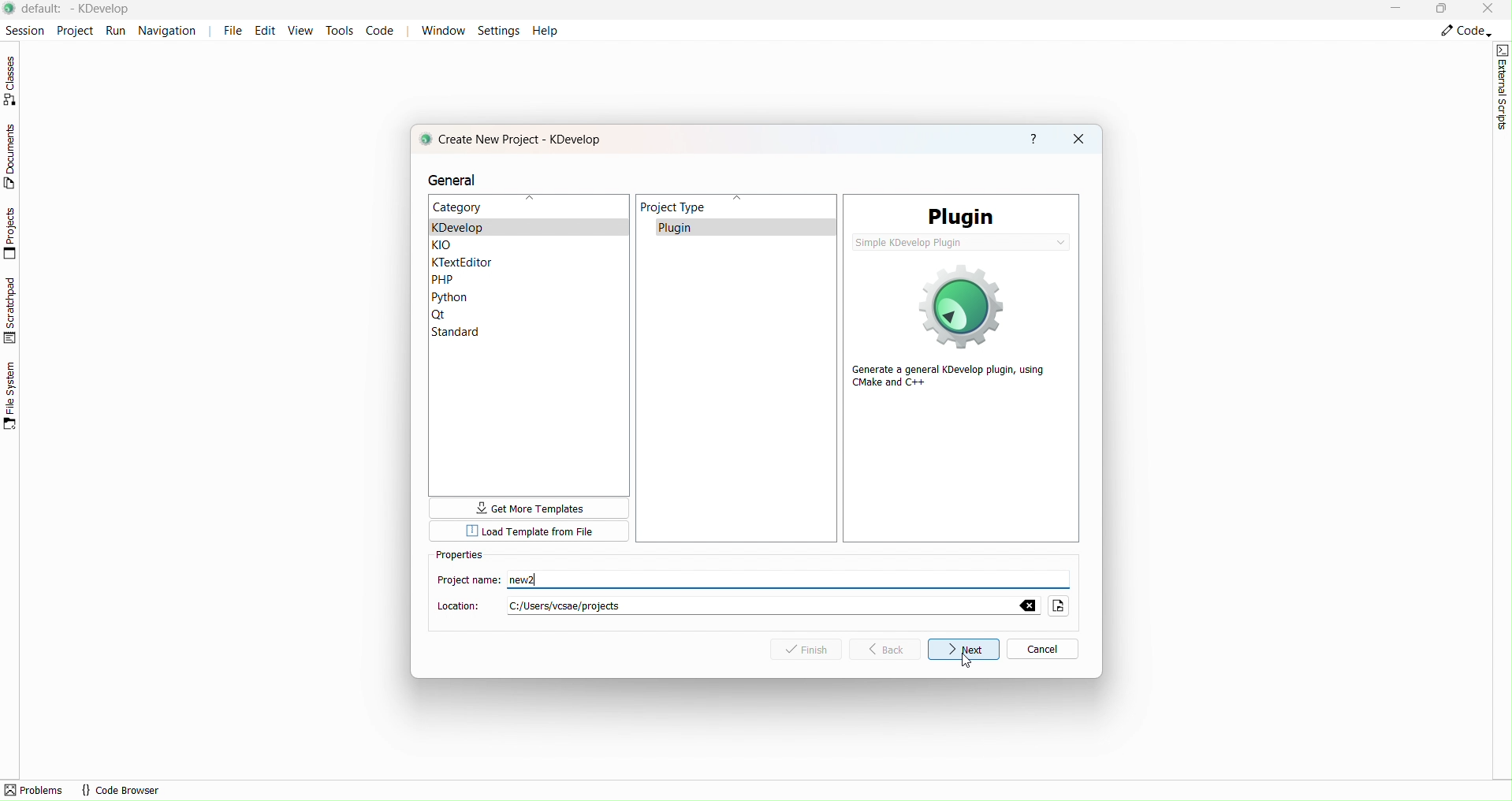 This screenshot has height=801, width=1512. Describe the element at coordinates (967, 660) in the screenshot. I see `cursor` at that location.